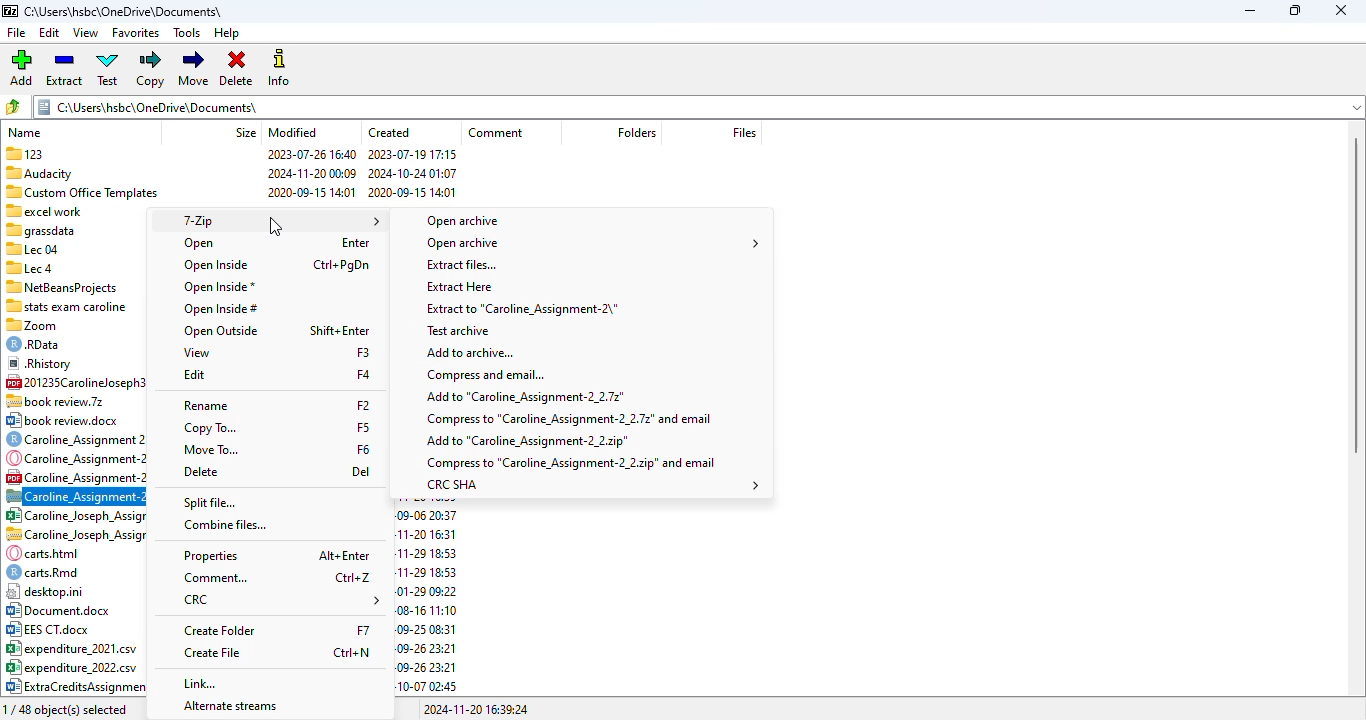 The image size is (1366, 720). I want to click on extract files, so click(459, 265).